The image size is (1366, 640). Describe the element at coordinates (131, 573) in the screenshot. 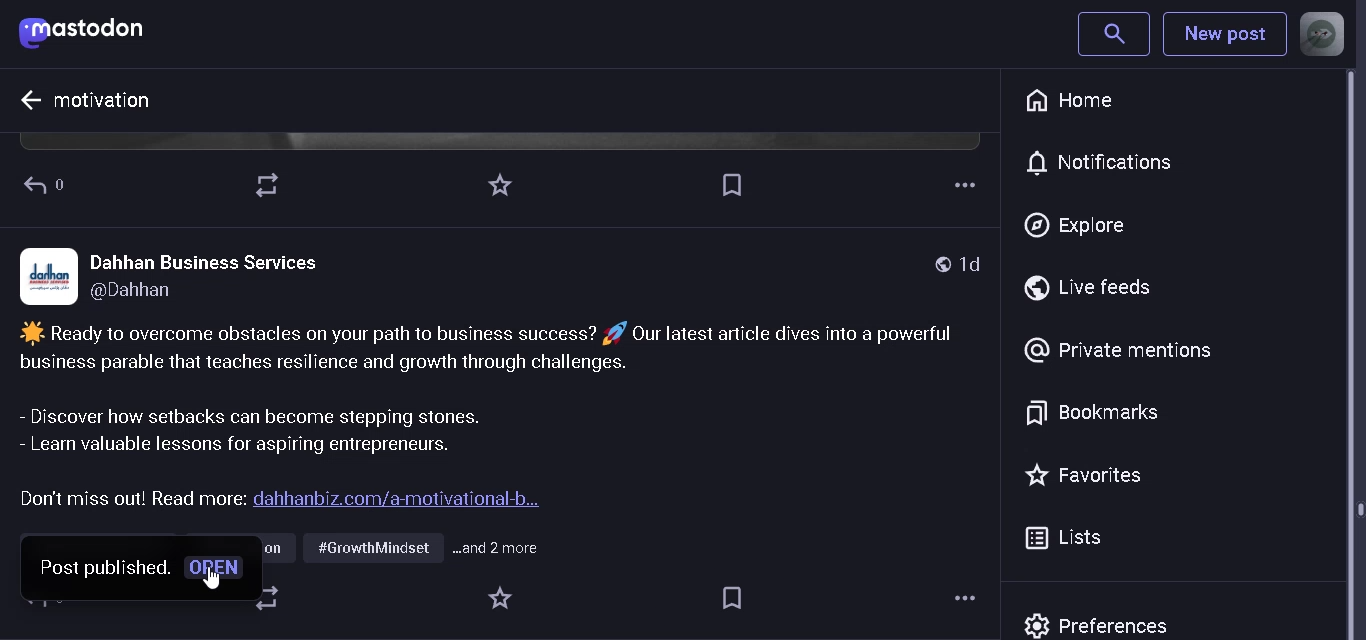

I see `publish` at that location.